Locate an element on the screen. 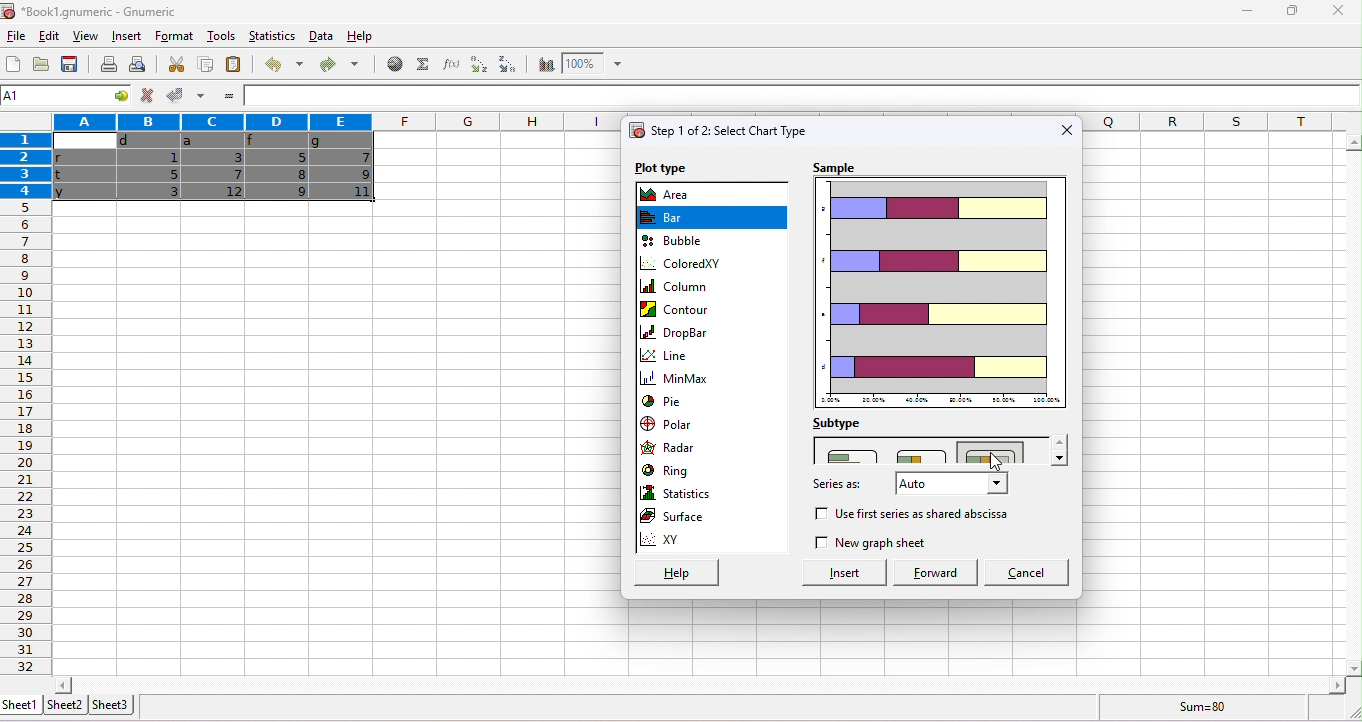 This screenshot has width=1362, height=722. hyperlink is located at coordinates (392, 63).